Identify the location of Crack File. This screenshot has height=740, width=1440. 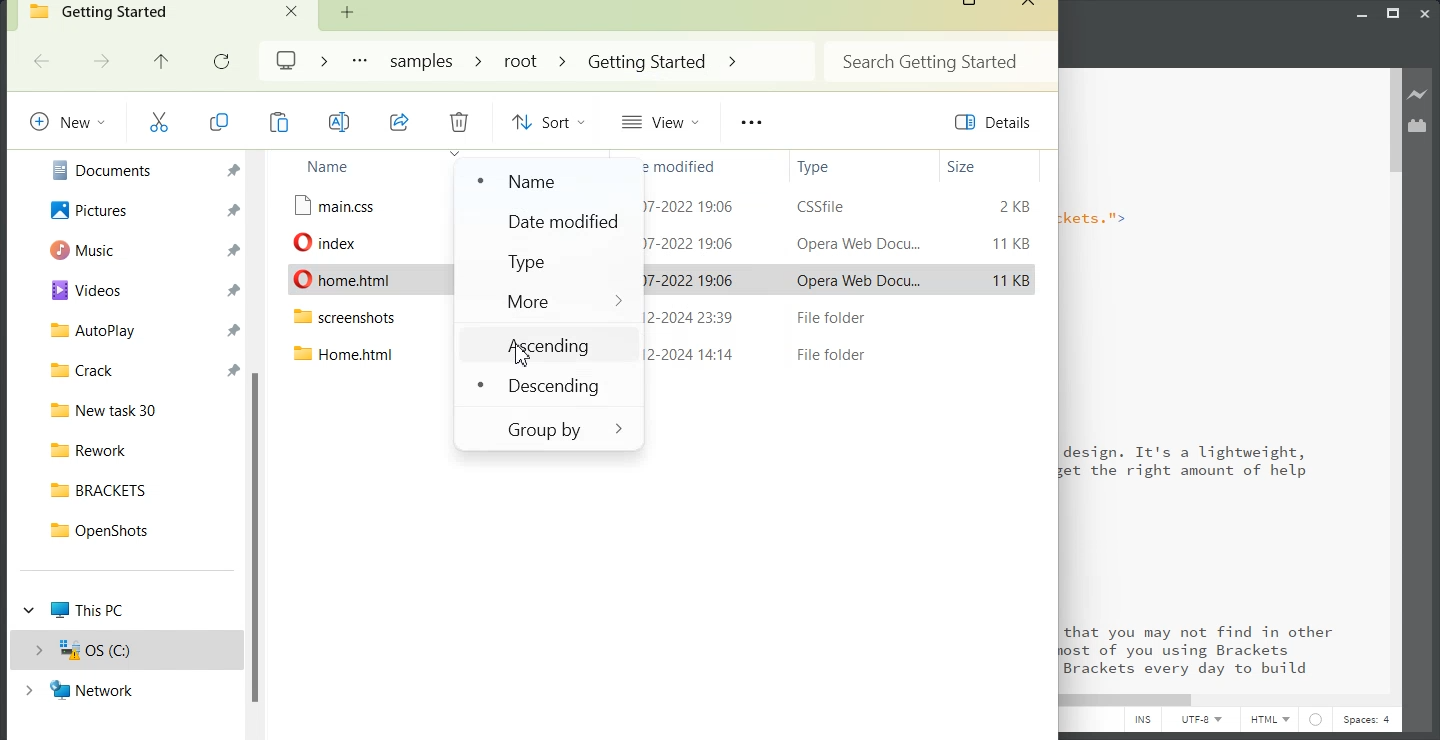
(138, 370).